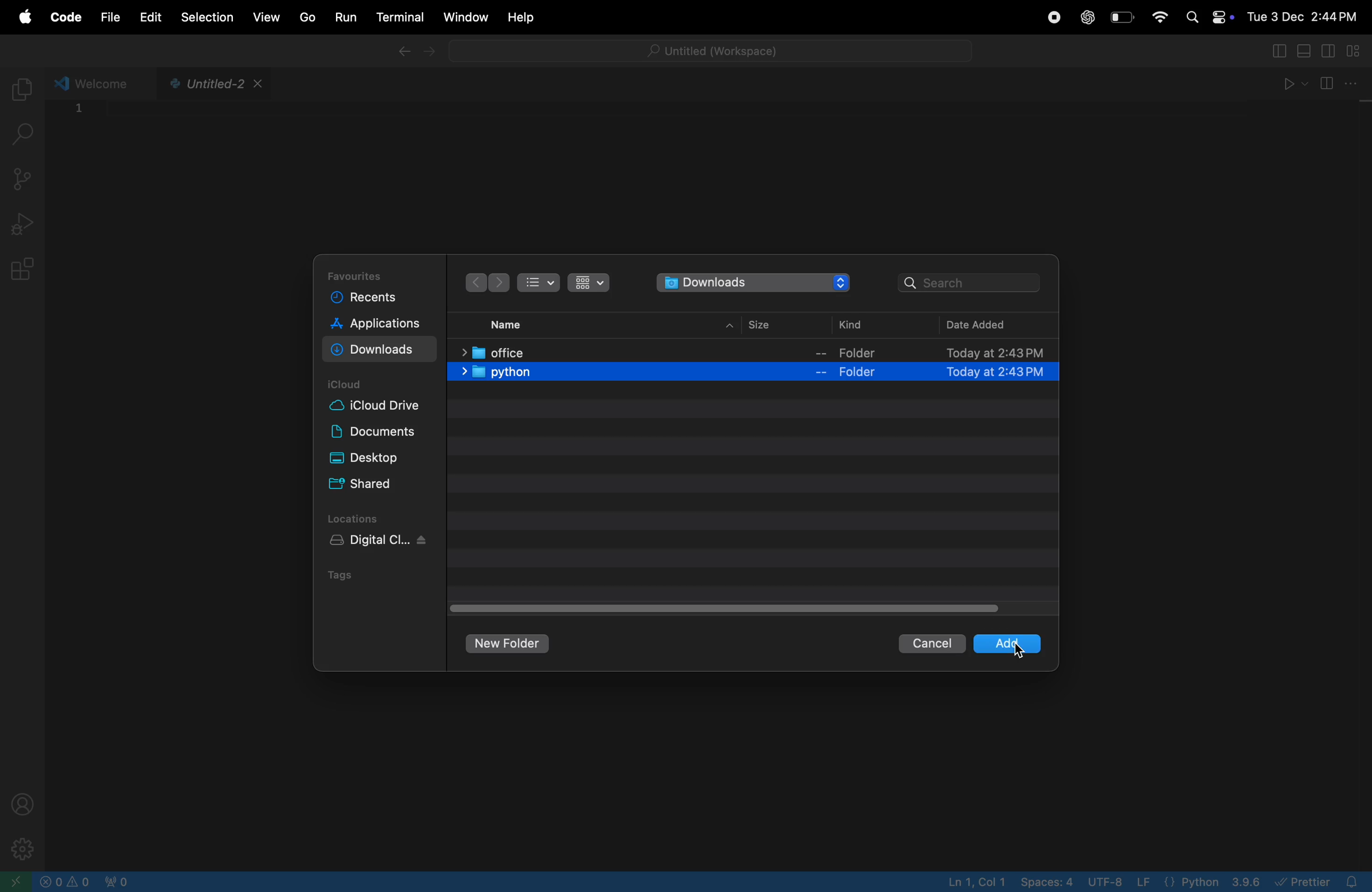  Describe the element at coordinates (24, 220) in the screenshot. I see `run debug` at that location.